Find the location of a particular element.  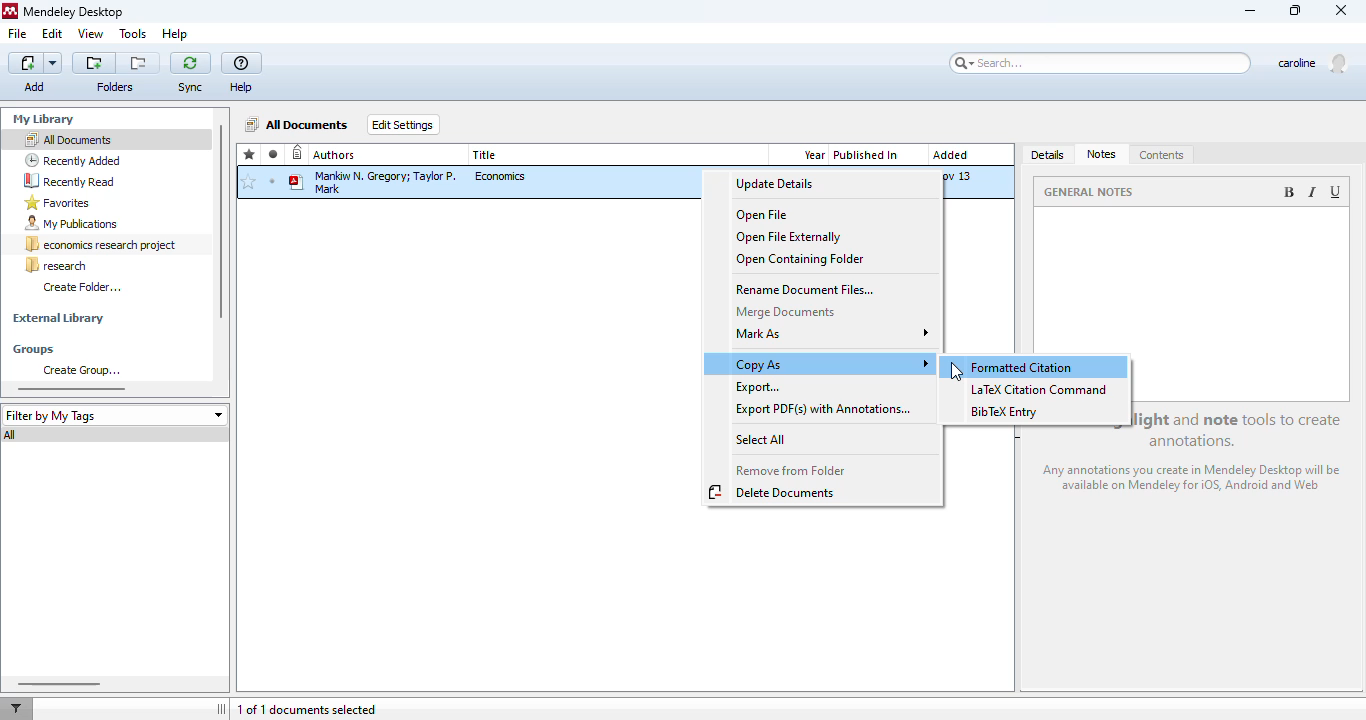

file is located at coordinates (17, 34).